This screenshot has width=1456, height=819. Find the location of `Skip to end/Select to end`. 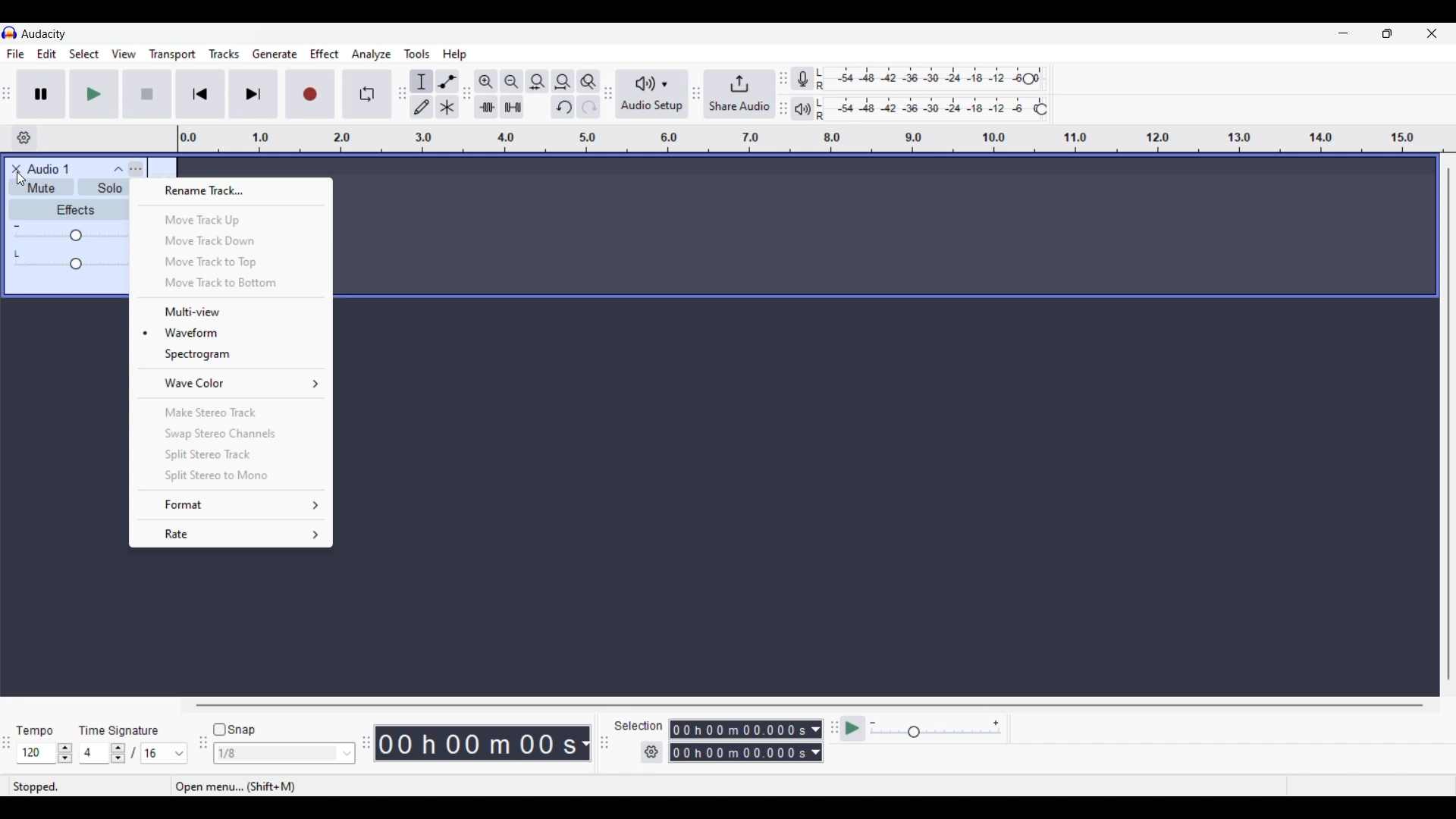

Skip to end/Select to end is located at coordinates (253, 94).